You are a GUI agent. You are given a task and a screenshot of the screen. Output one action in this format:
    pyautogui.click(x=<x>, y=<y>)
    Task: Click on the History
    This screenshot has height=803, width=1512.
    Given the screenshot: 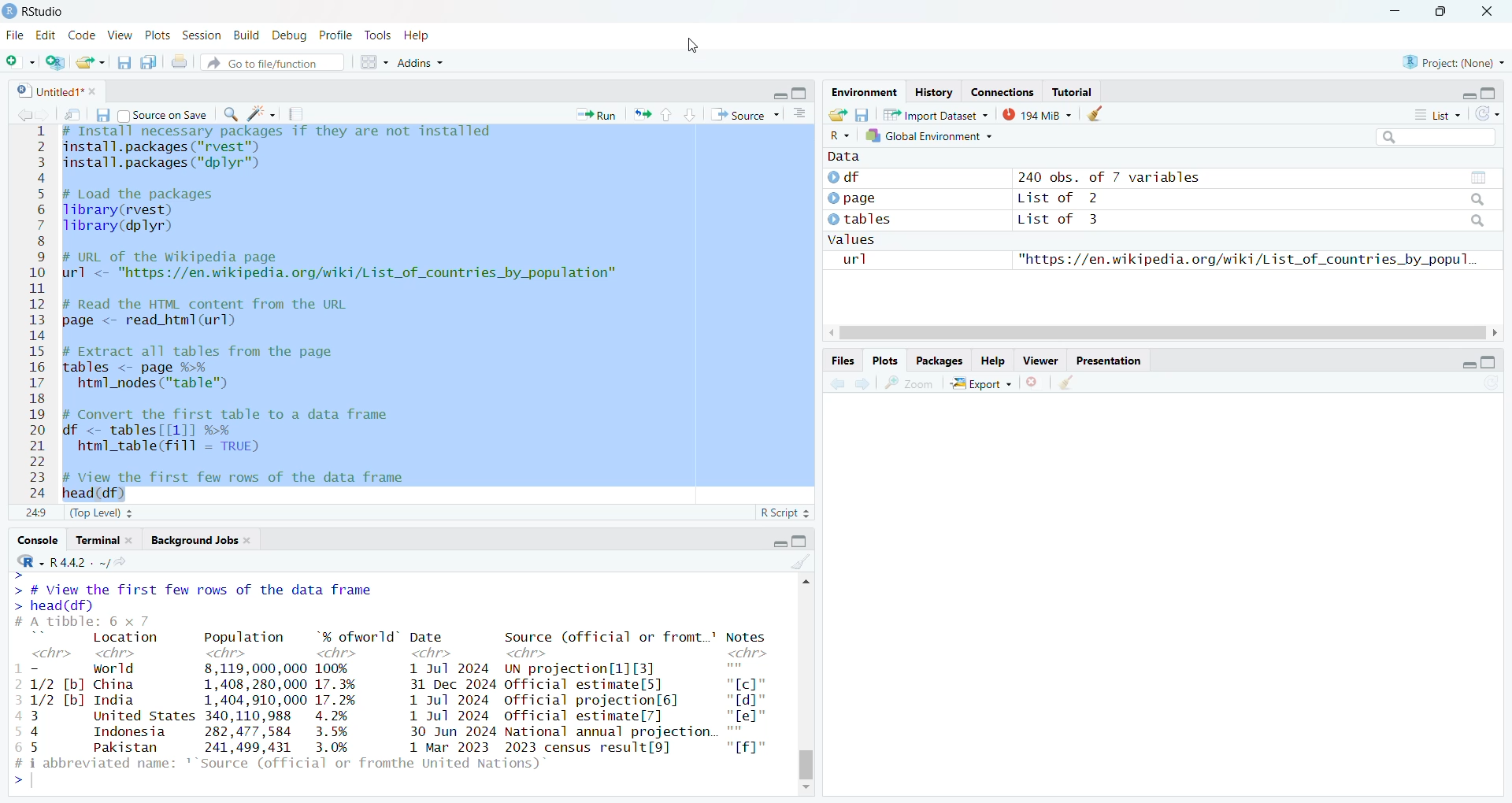 What is the action you would take?
    pyautogui.click(x=934, y=94)
    